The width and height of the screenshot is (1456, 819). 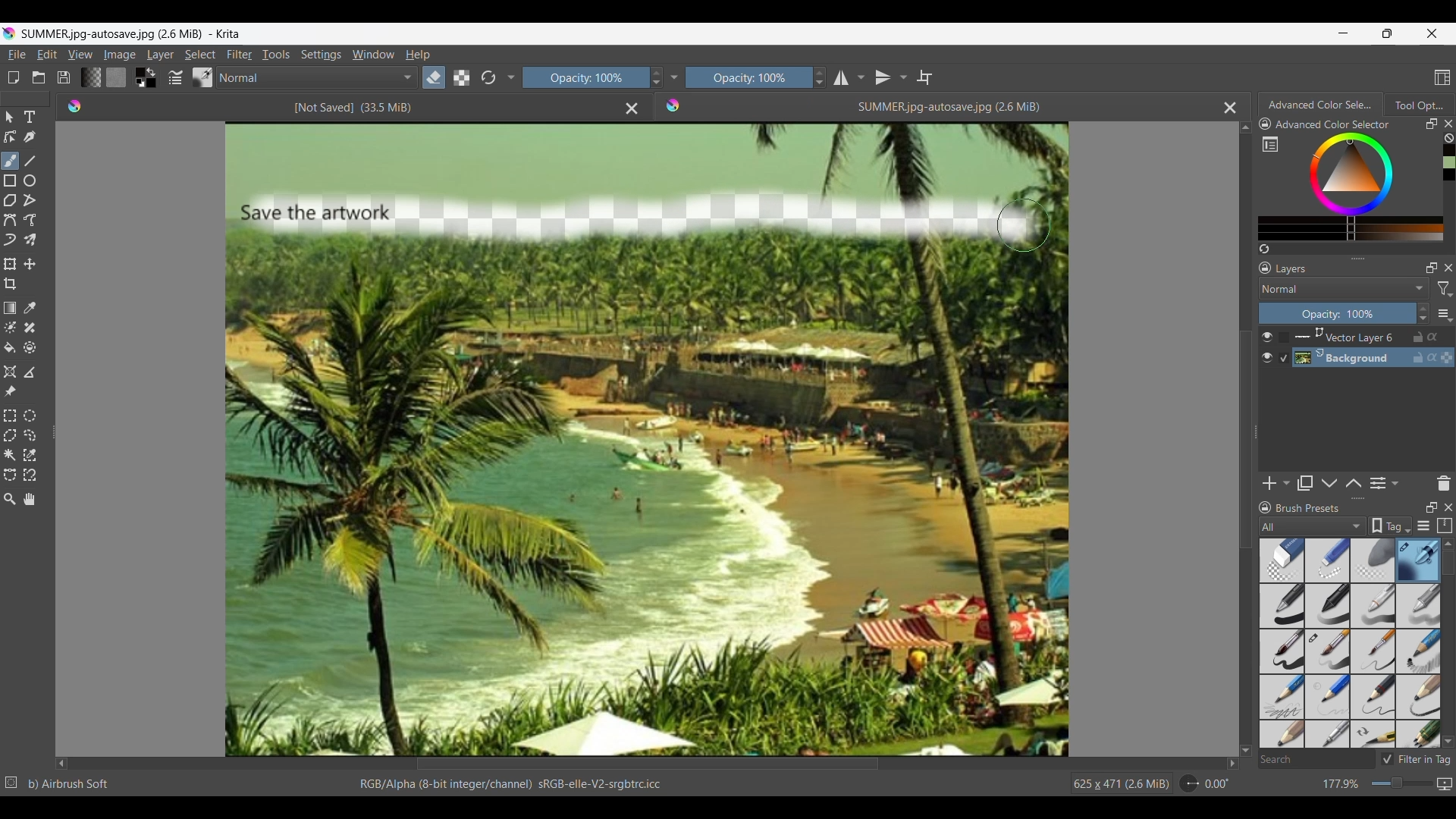 I want to click on Window, so click(x=373, y=55).